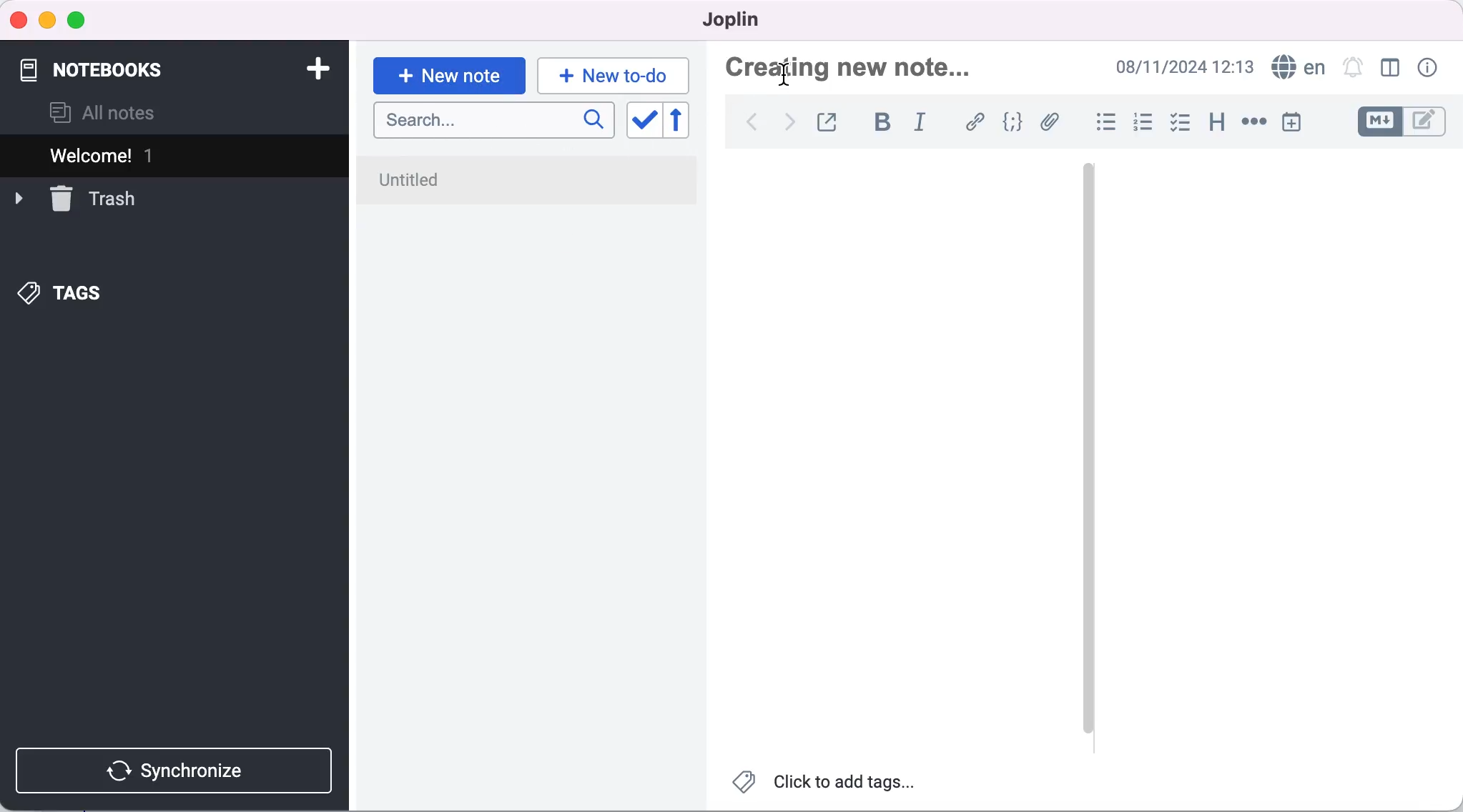 The height and width of the screenshot is (812, 1463). Describe the element at coordinates (1015, 122) in the screenshot. I see `code` at that location.